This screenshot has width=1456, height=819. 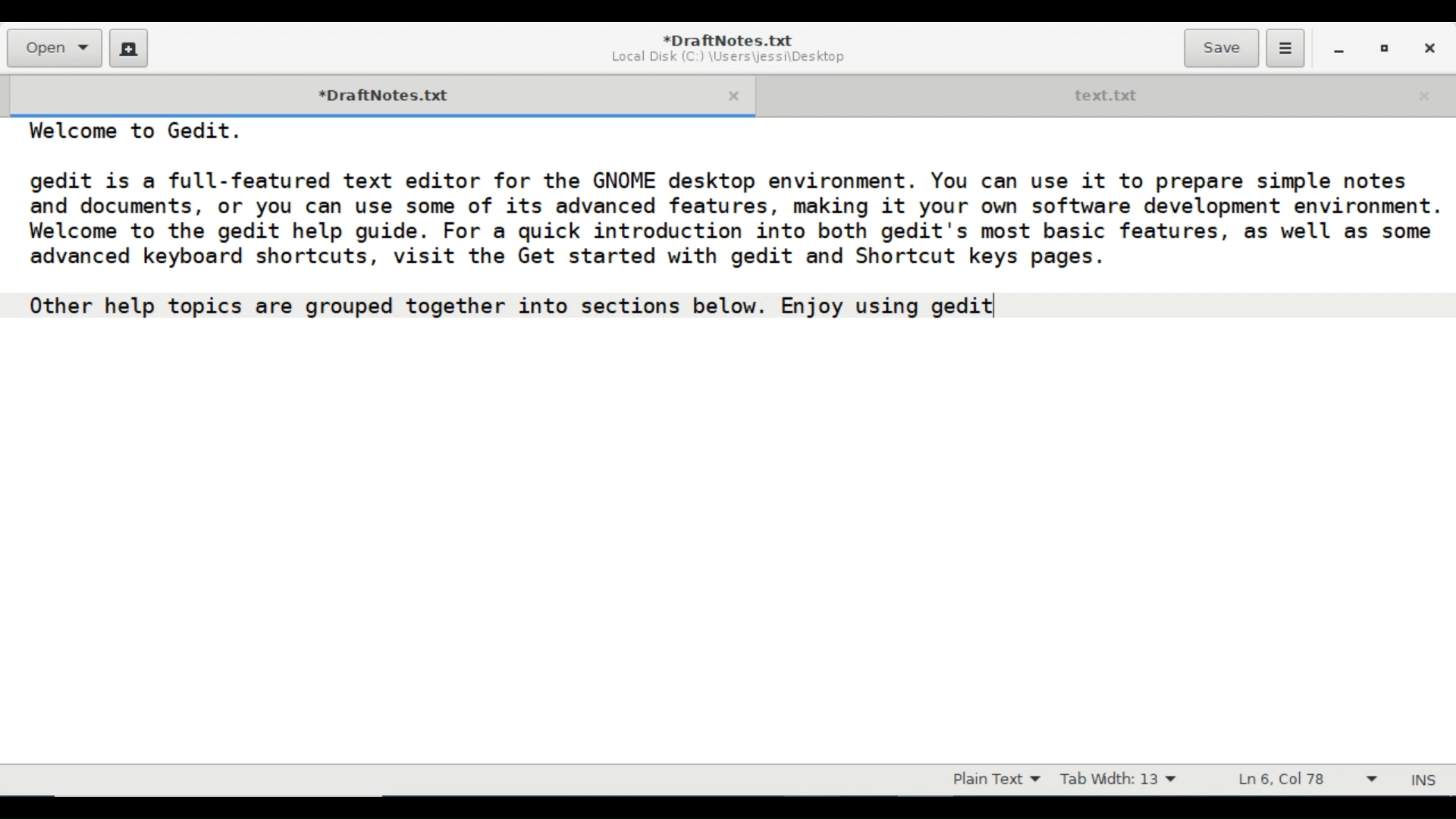 What do you see at coordinates (372, 93) in the screenshot?
I see `Current Tab` at bounding box center [372, 93].